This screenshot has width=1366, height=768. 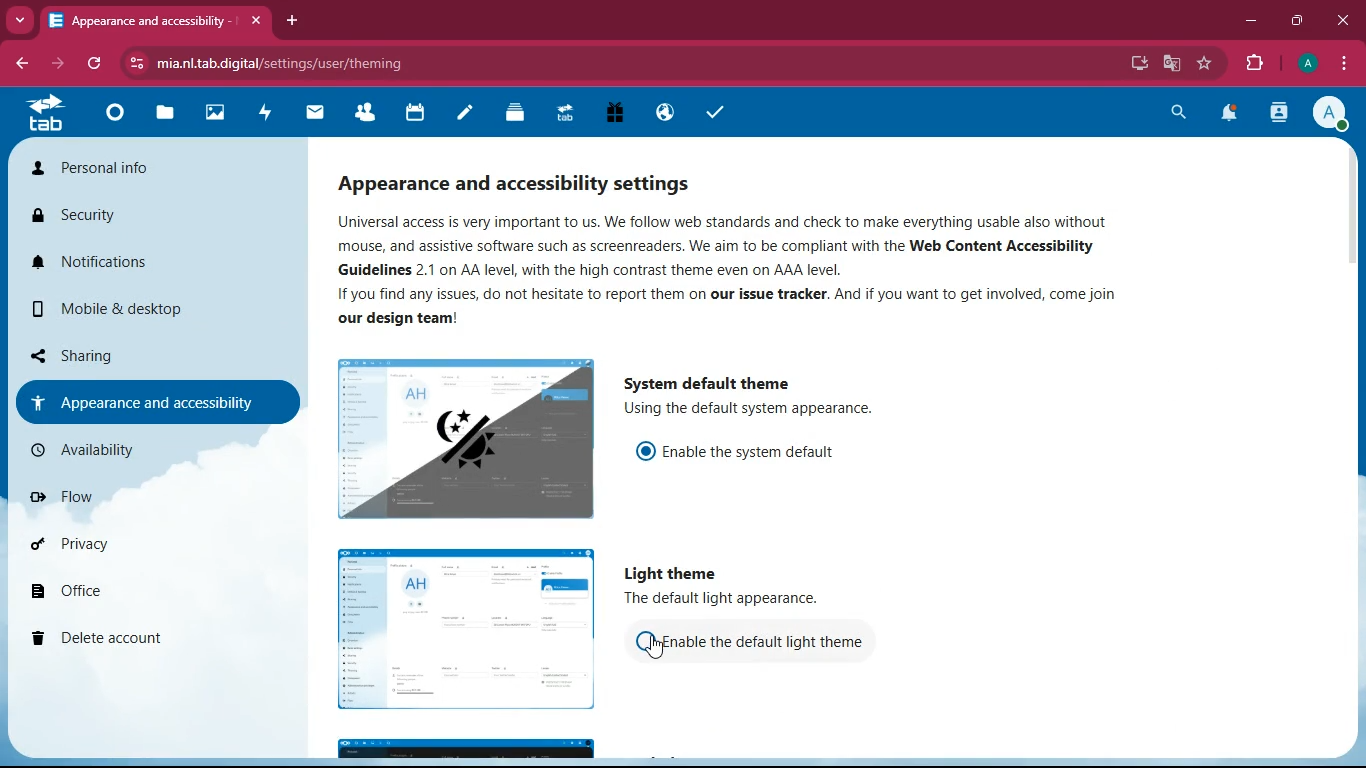 I want to click on refresh, so click(x=100, y=65).